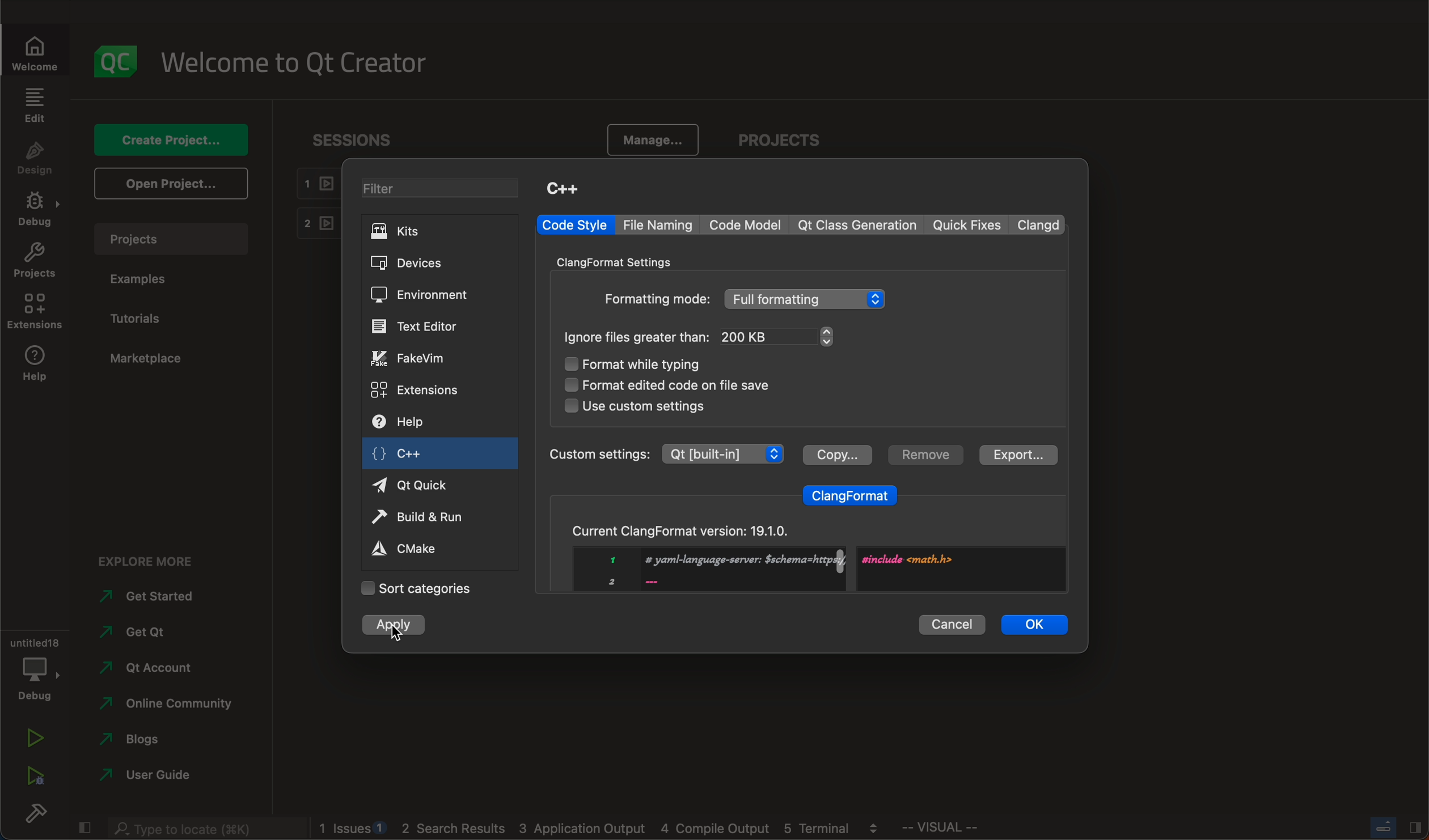  What do you see at coordinates (413, 423) in the screenshot?
I see `help` at bounding box center [413, 423].